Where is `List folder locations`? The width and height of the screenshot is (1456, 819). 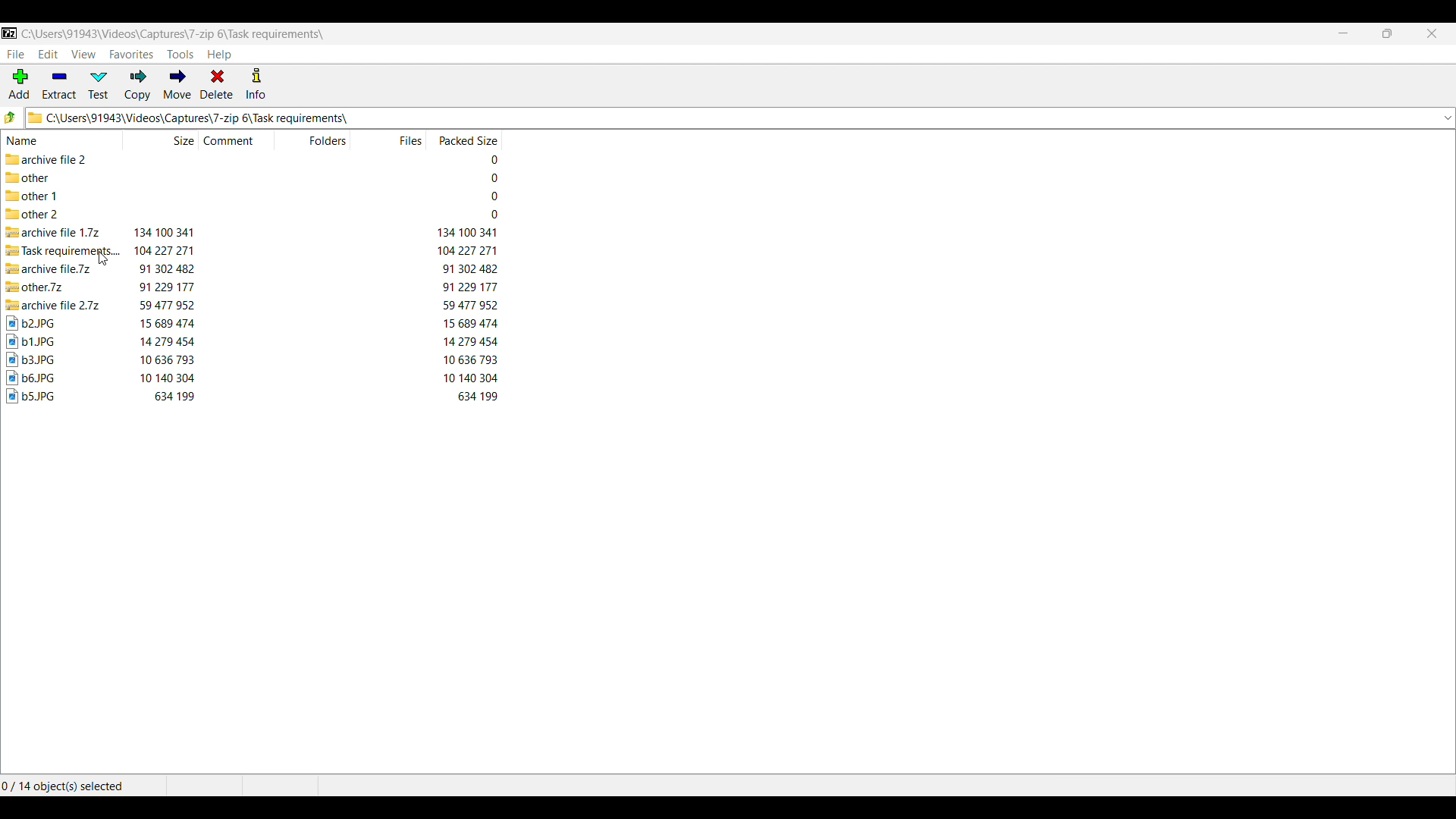 List folder locations is located at coordinates (1448, 118).